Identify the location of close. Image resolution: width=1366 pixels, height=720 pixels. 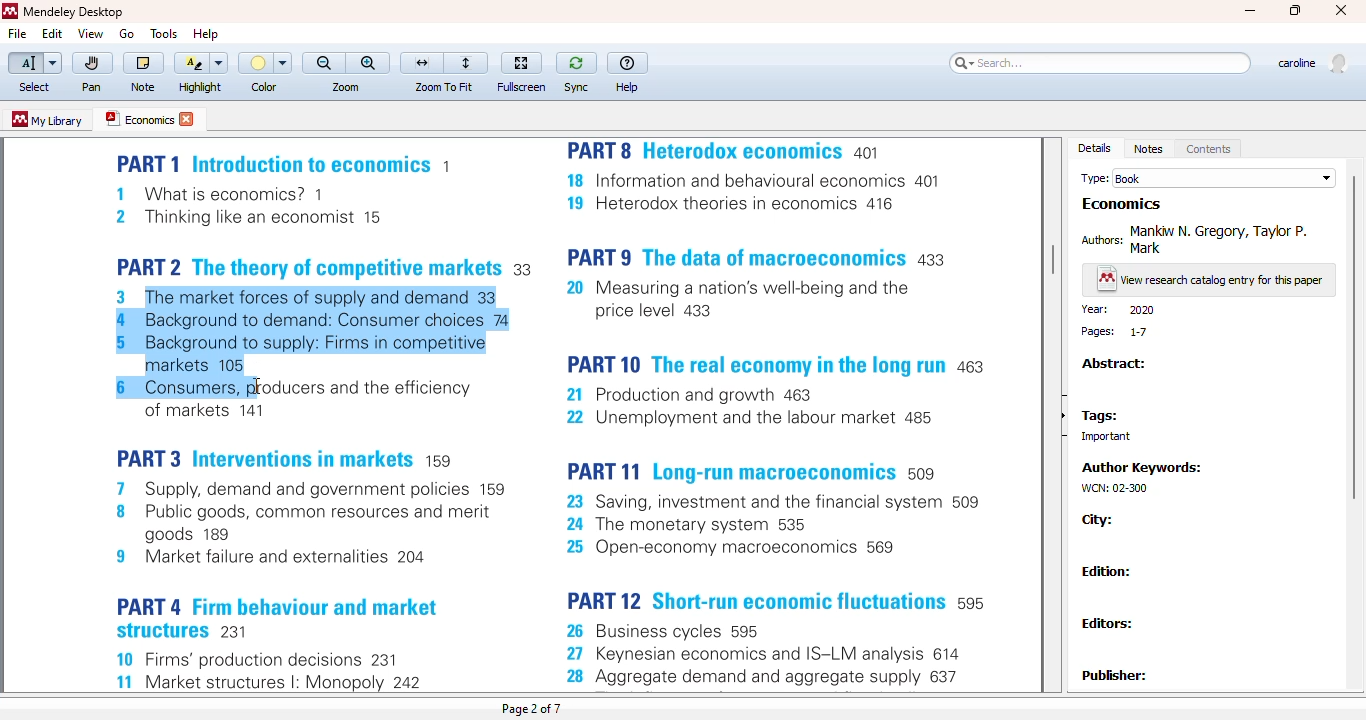
(1341, 10).